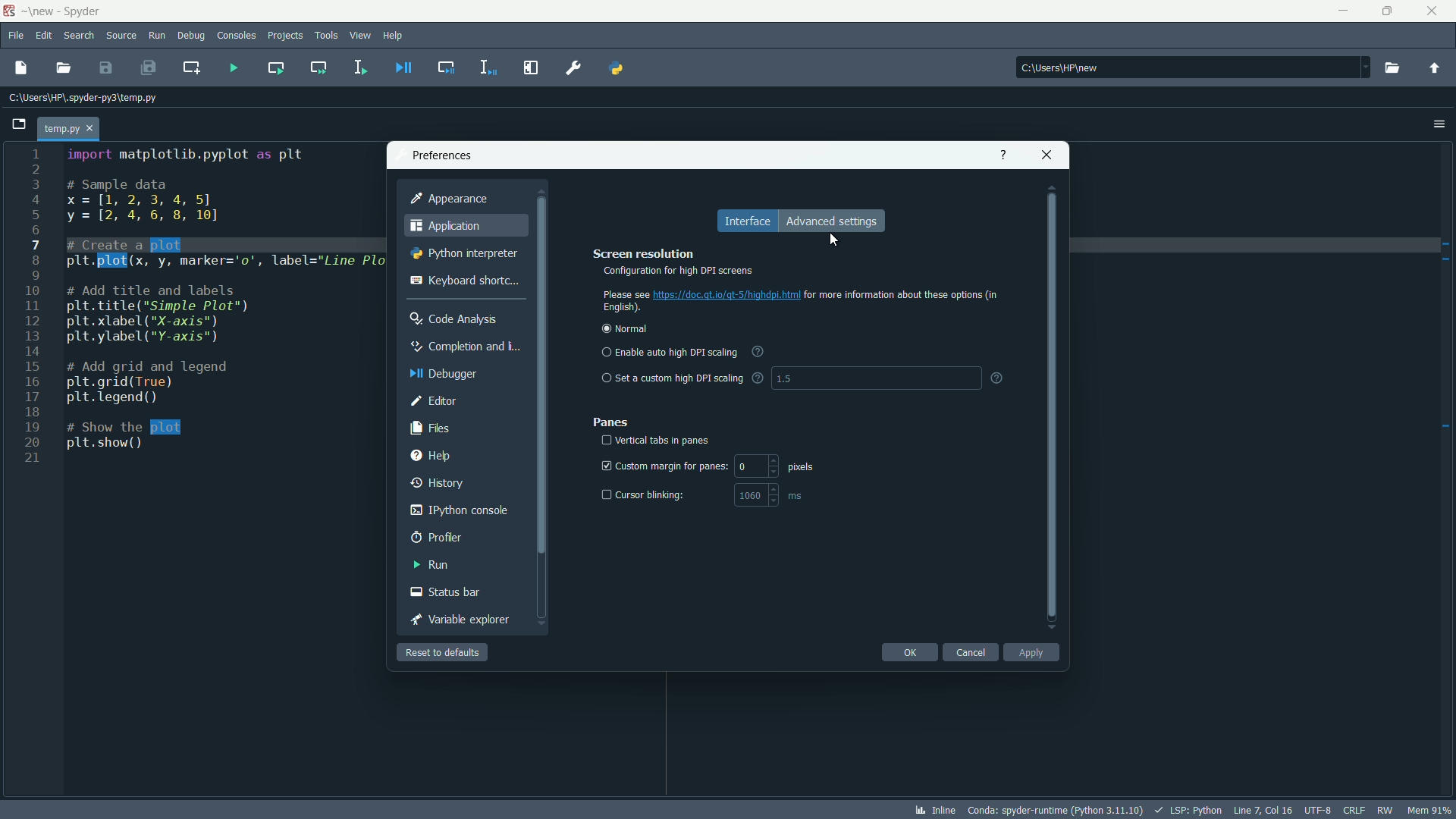 This screenshot has height=819, width=1456. What do you see at coordinates (1005, 155) in the screenshot?
I see `get help` at bounding box center [1005, 155].